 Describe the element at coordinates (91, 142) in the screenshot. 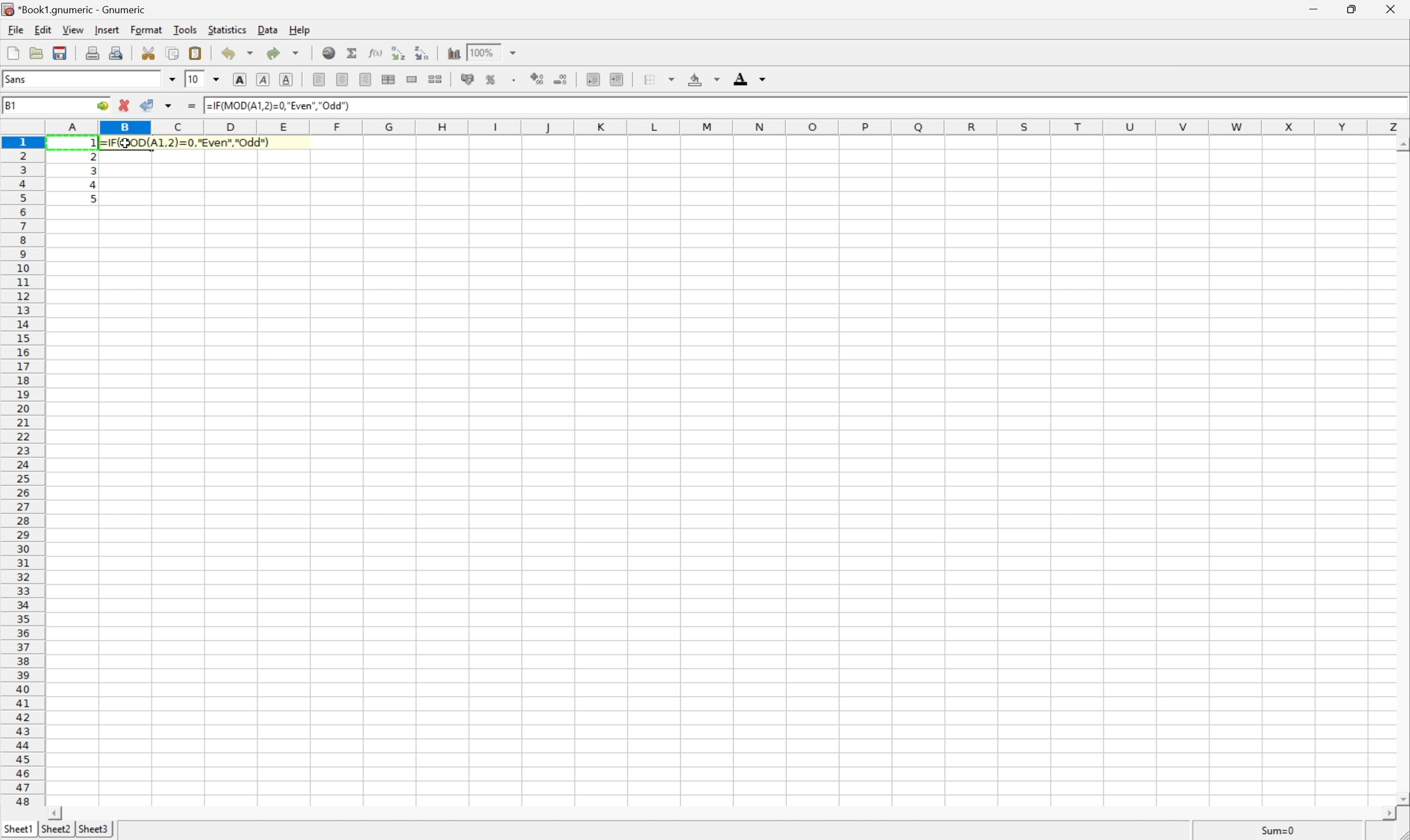

I see `` at that location.